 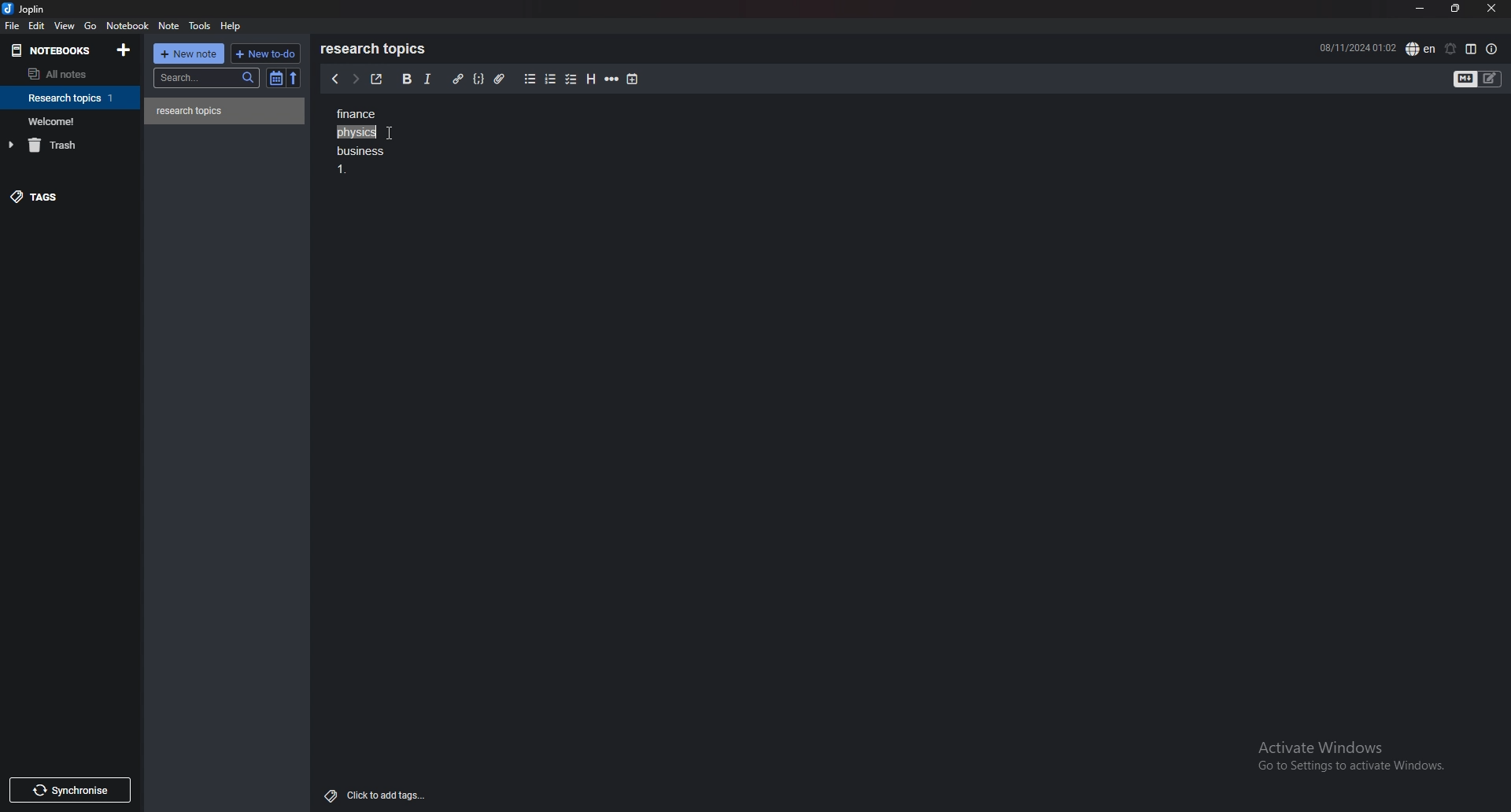 I want to click on reverse sort order, so click(x=293, y=78).